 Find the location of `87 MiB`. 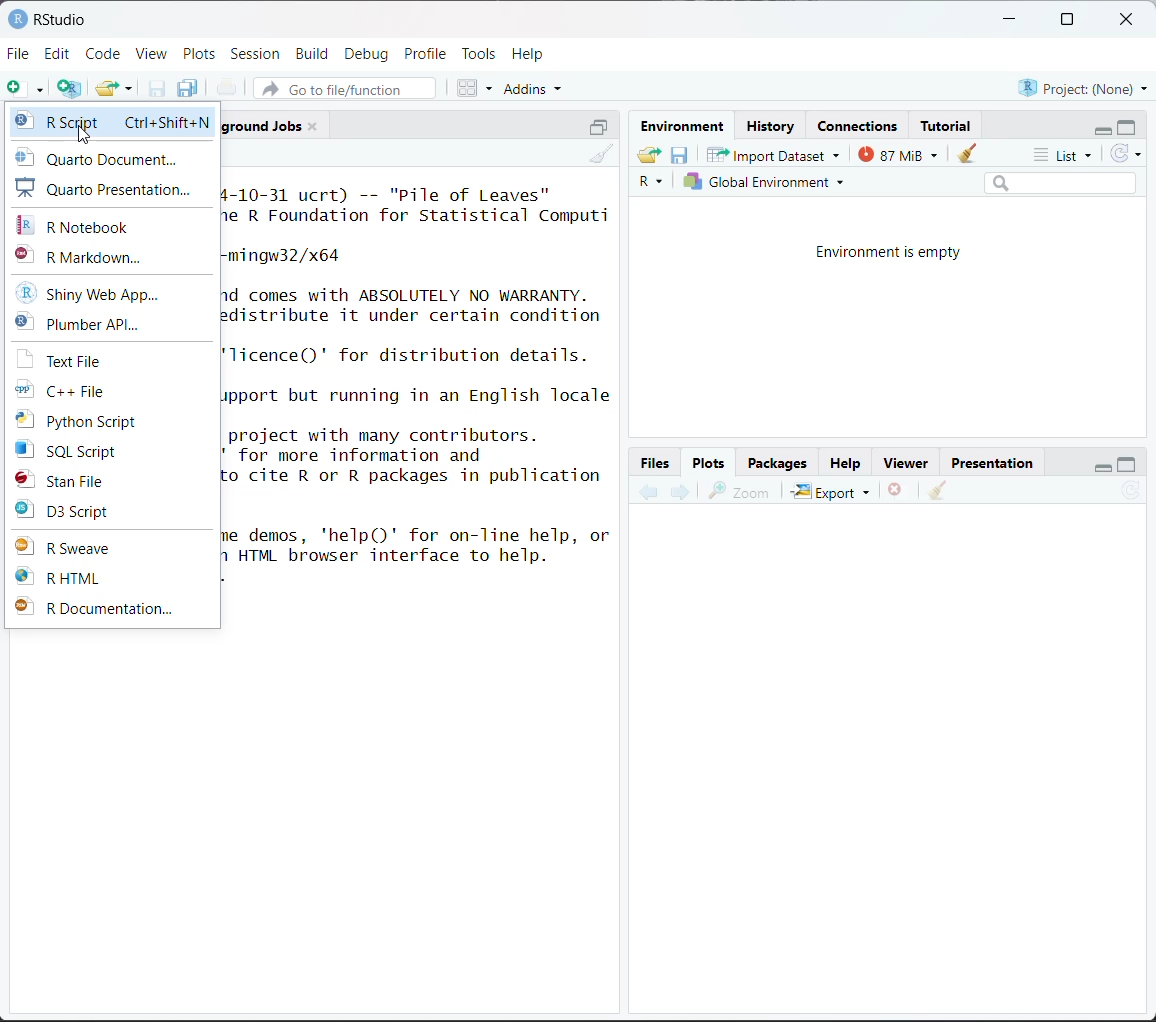

87 MiB is located at coordinates (896, 153).